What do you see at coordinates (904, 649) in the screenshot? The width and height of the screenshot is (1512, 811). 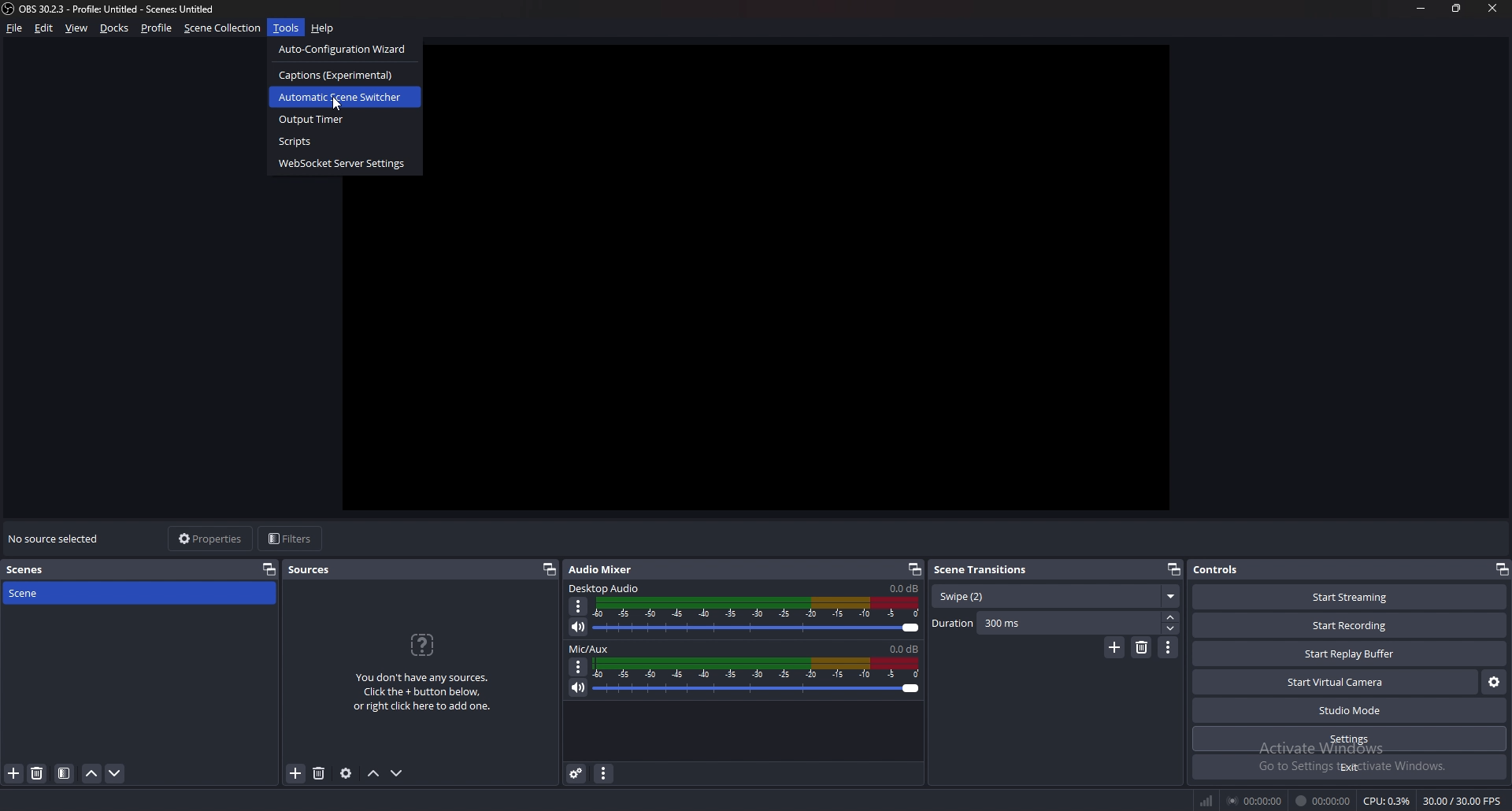 I see `volume level` at bounding box center [904, 649].